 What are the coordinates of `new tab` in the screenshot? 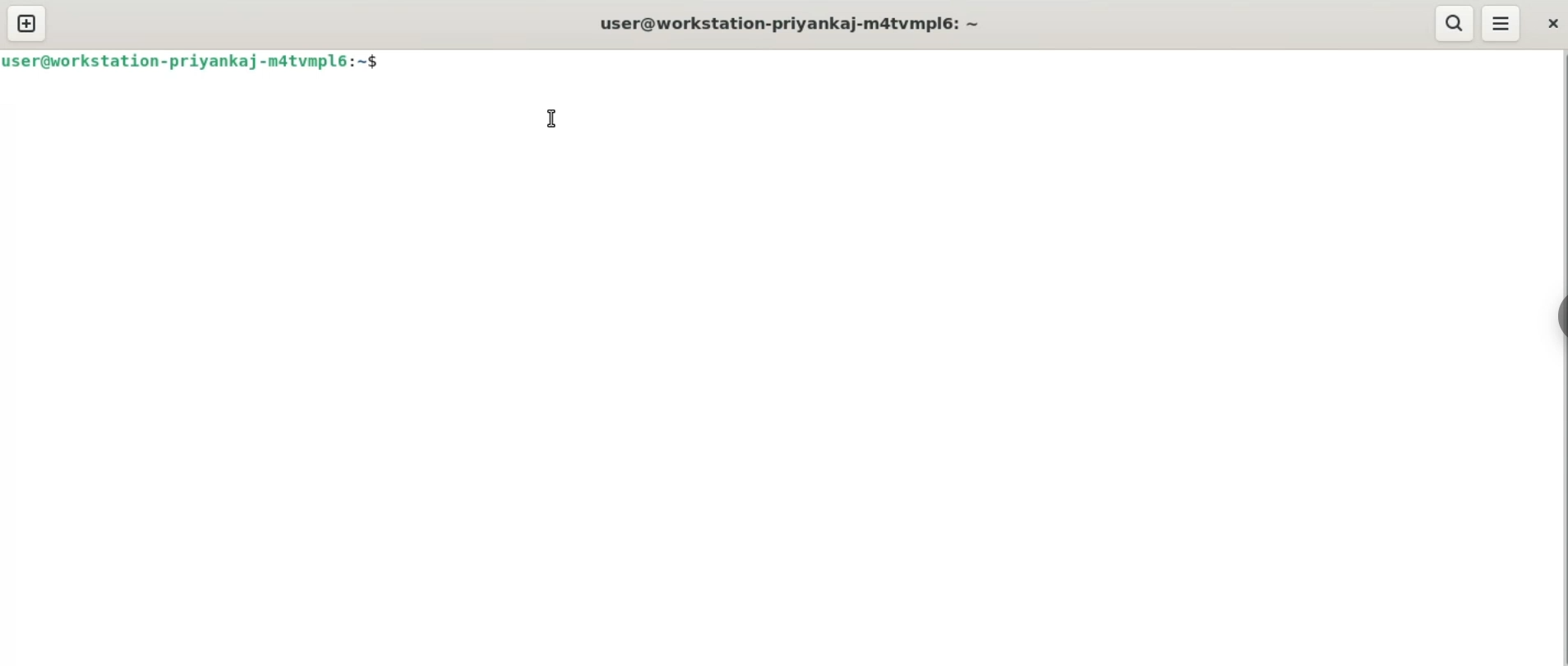 It's located at (29, 22).